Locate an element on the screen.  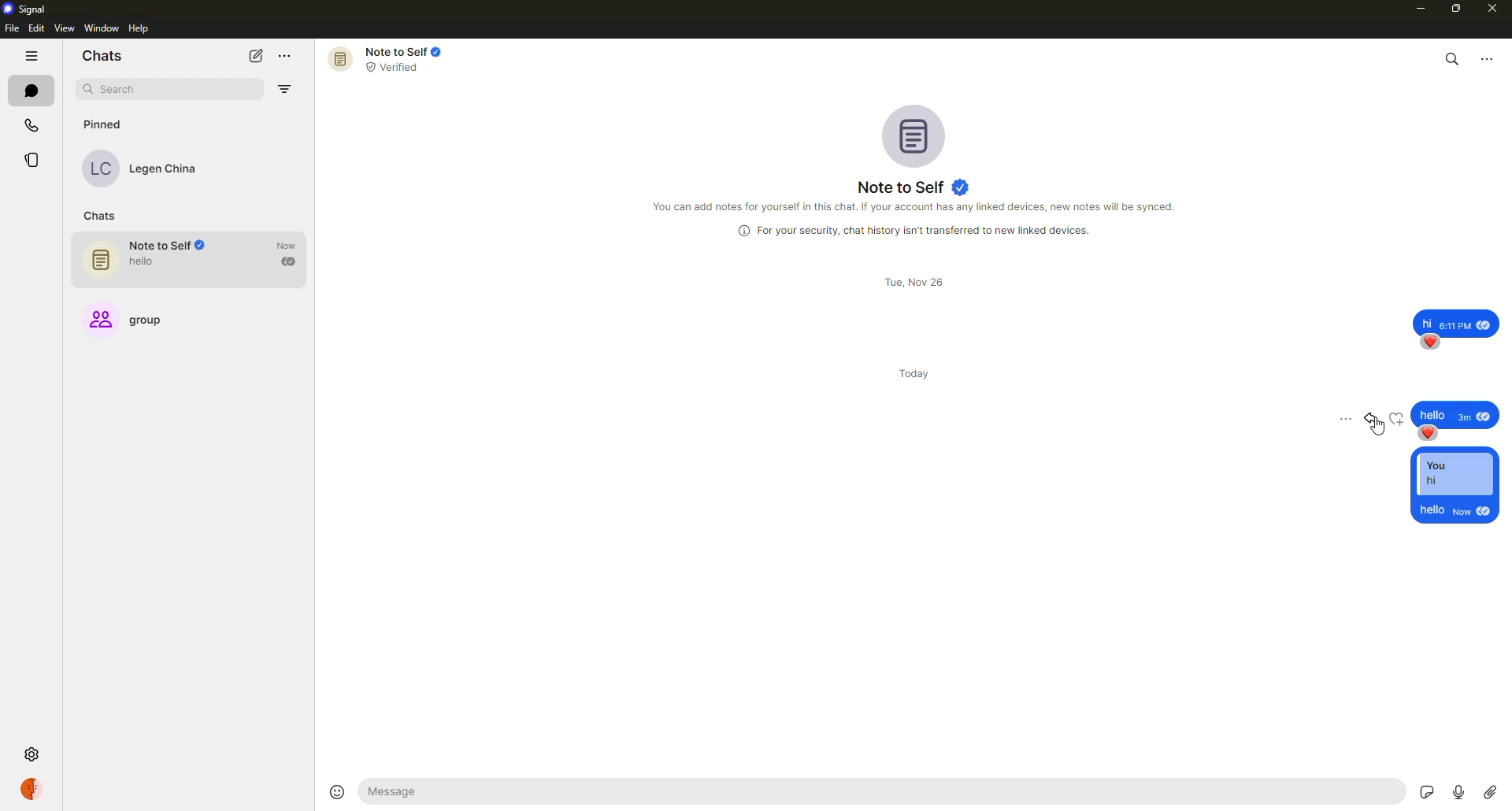
file is located at coordinates (13, 28).